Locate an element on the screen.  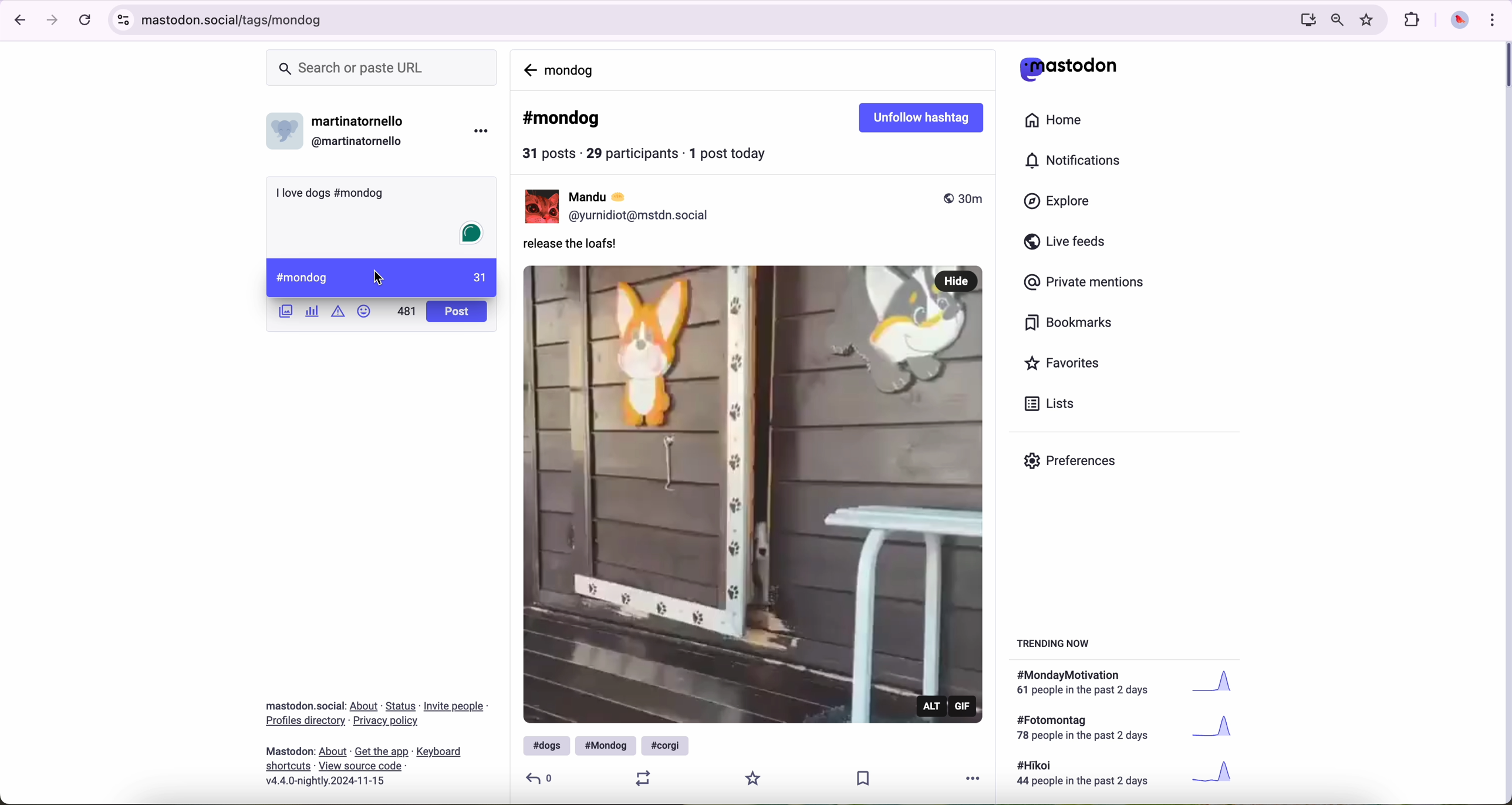
user name is located at coordinates (362, 122).